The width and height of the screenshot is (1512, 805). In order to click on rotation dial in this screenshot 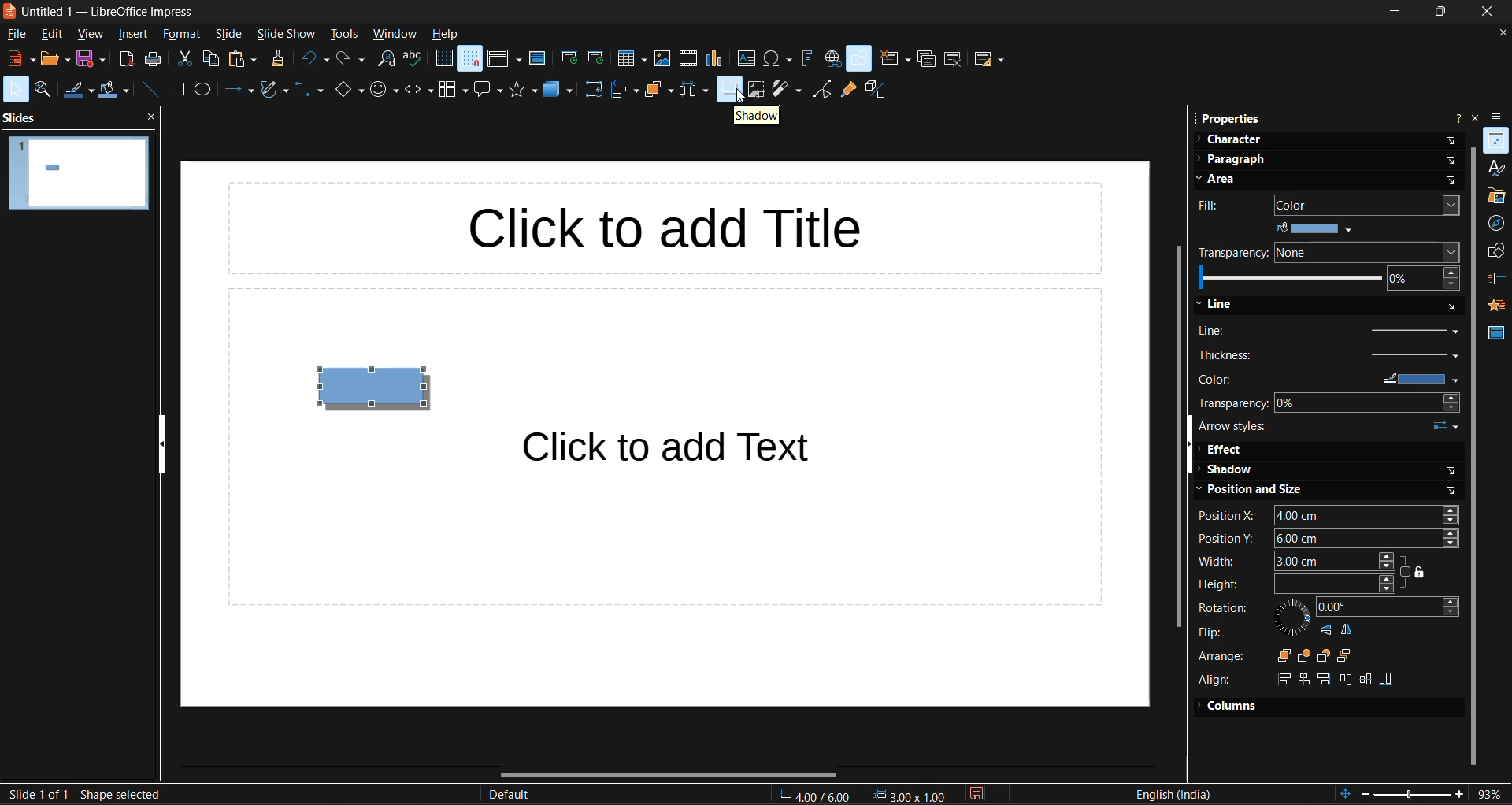, I will do `click(1289, 618)`.